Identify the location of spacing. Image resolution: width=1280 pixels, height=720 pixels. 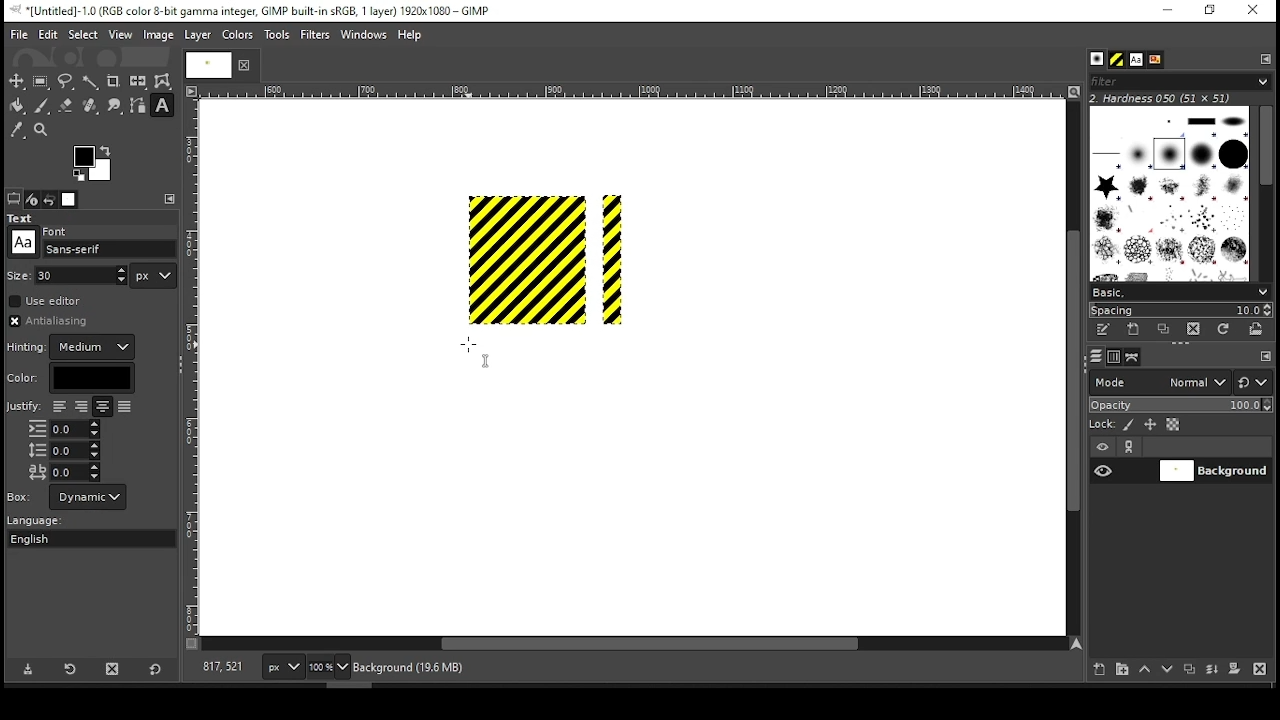
(1180, 310).